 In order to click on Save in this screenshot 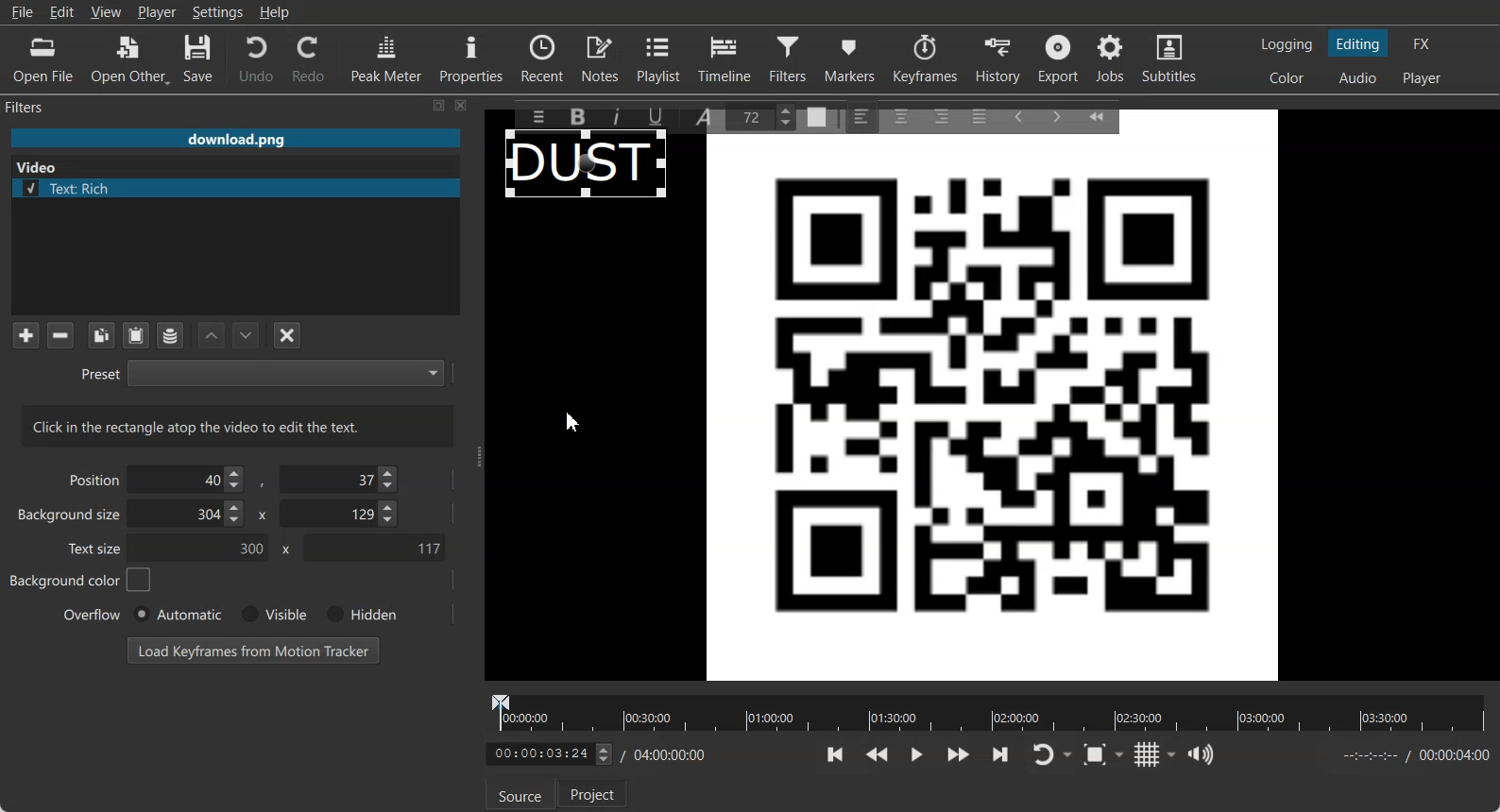, I will do `click(198, 59)`.